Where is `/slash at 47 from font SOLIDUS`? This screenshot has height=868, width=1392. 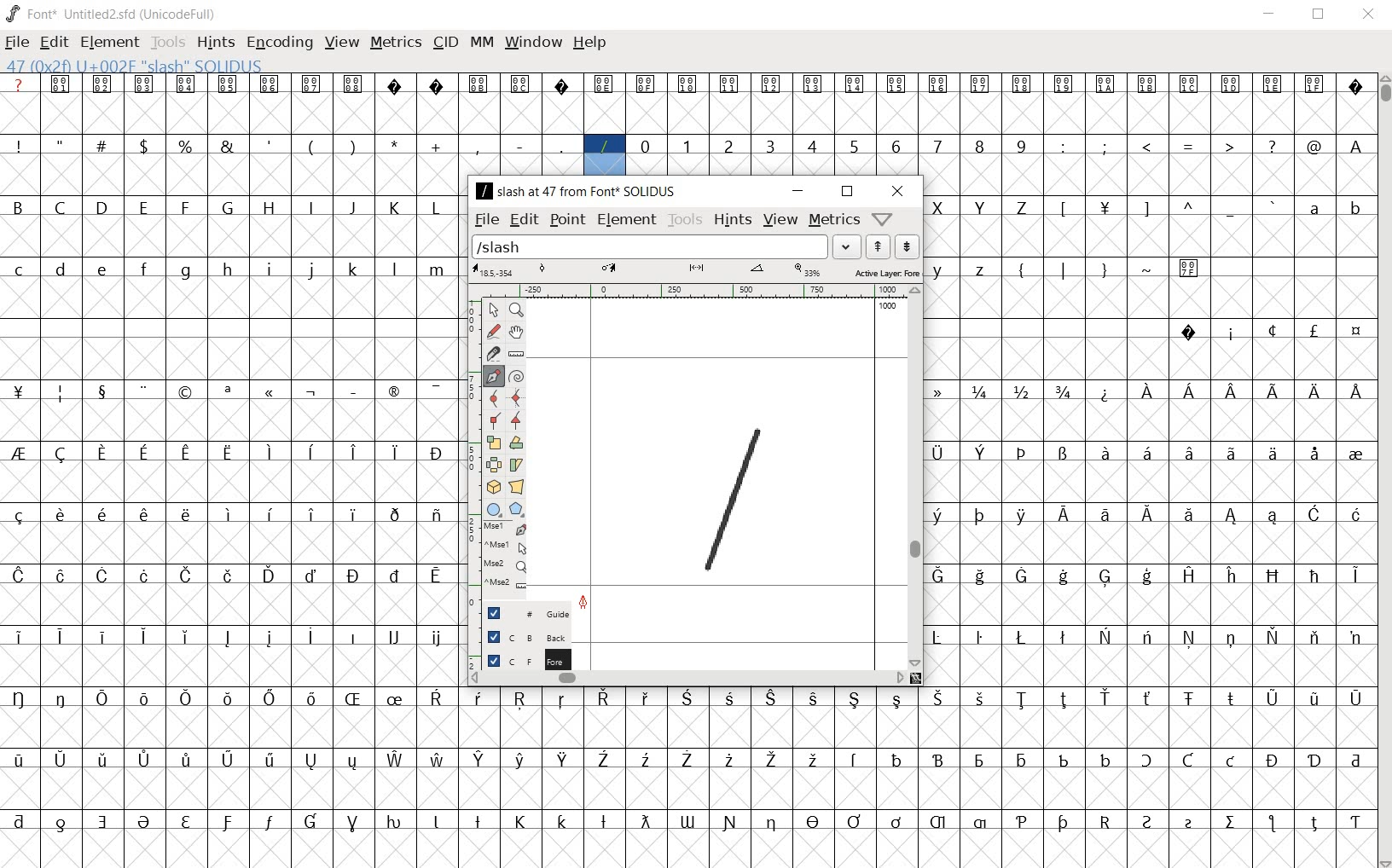
/slash at 47 from font SOLIDUS is located at coordinates (573, 191).